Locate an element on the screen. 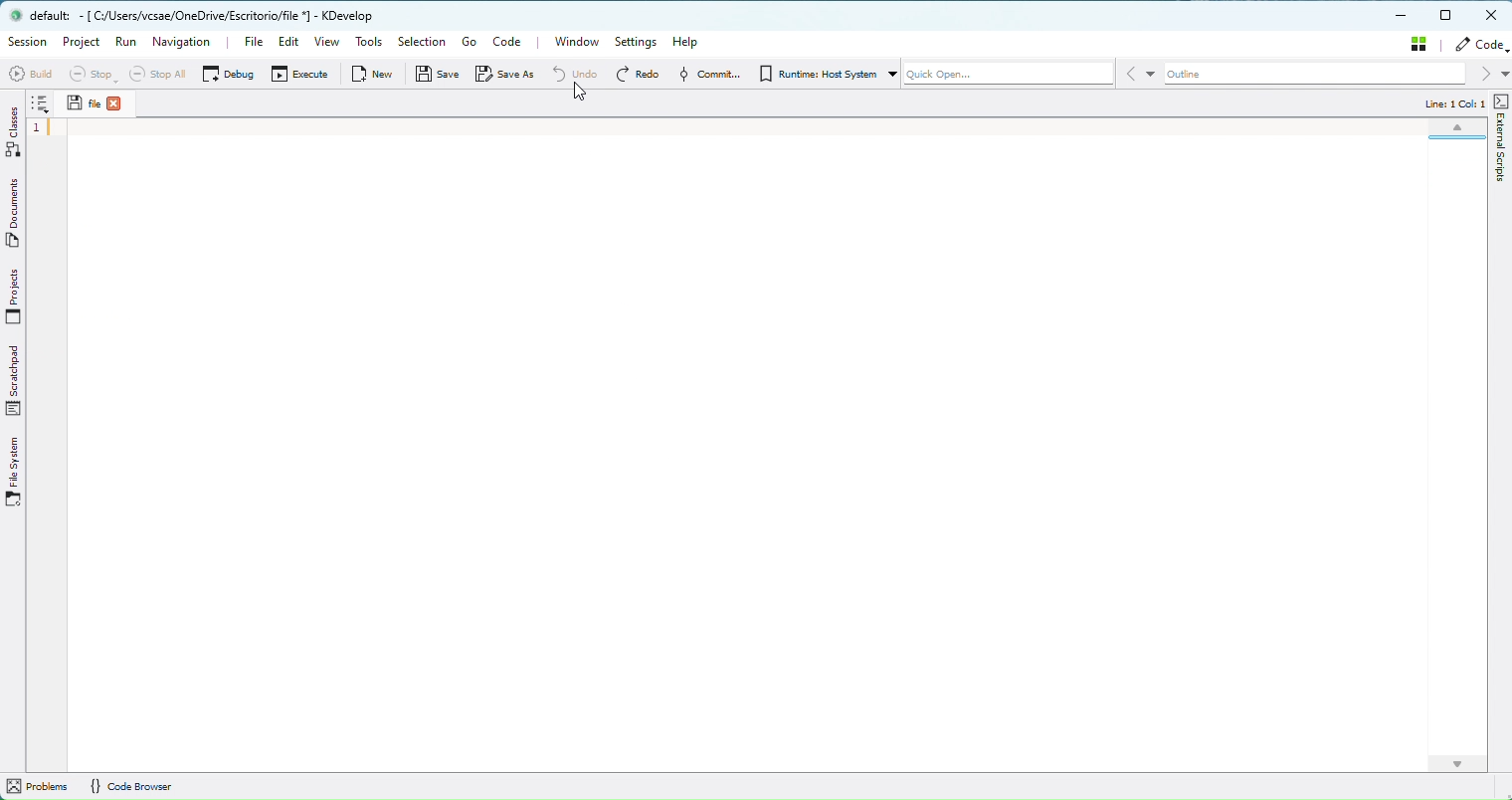 The width and height of the screenshot is (1512, 800). build is located at coordinates (30, 71).